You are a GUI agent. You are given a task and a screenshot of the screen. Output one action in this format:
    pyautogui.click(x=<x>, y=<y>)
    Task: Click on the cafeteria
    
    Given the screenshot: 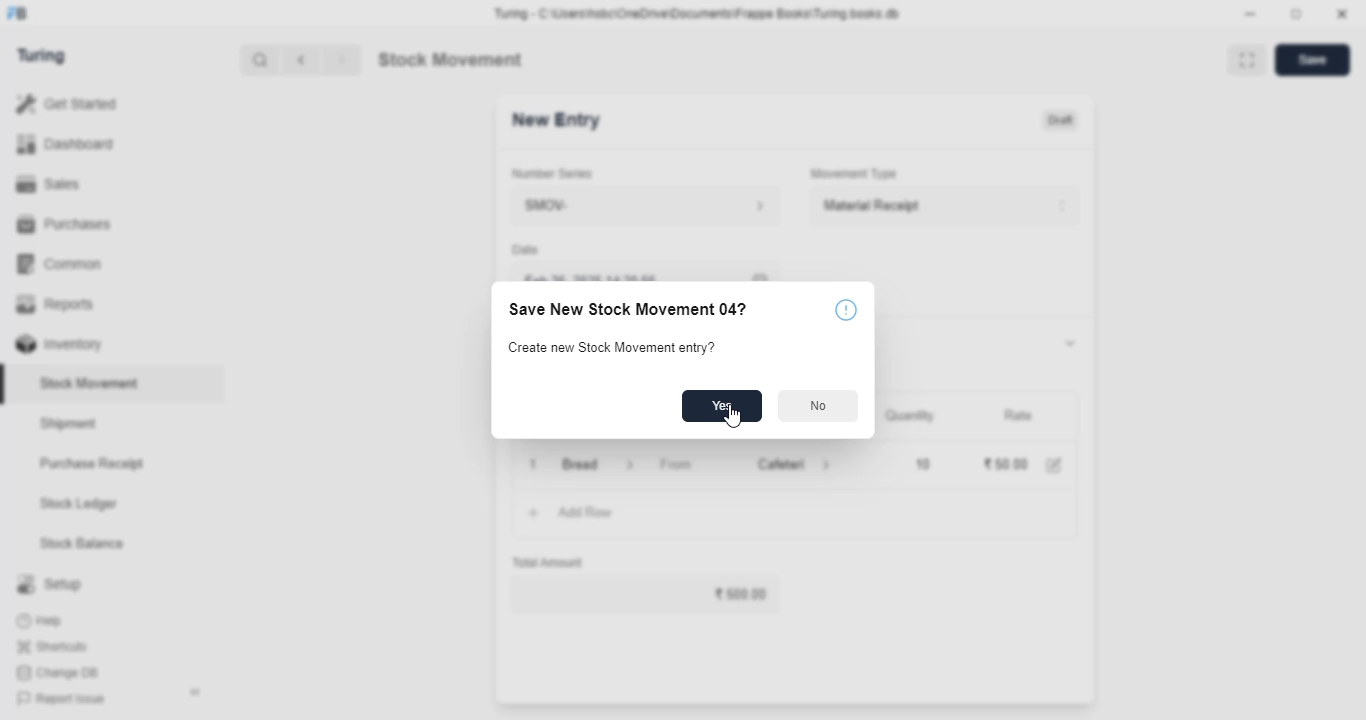 What is the action you would take?
    pyautogui.click(x=776, y=464)
    